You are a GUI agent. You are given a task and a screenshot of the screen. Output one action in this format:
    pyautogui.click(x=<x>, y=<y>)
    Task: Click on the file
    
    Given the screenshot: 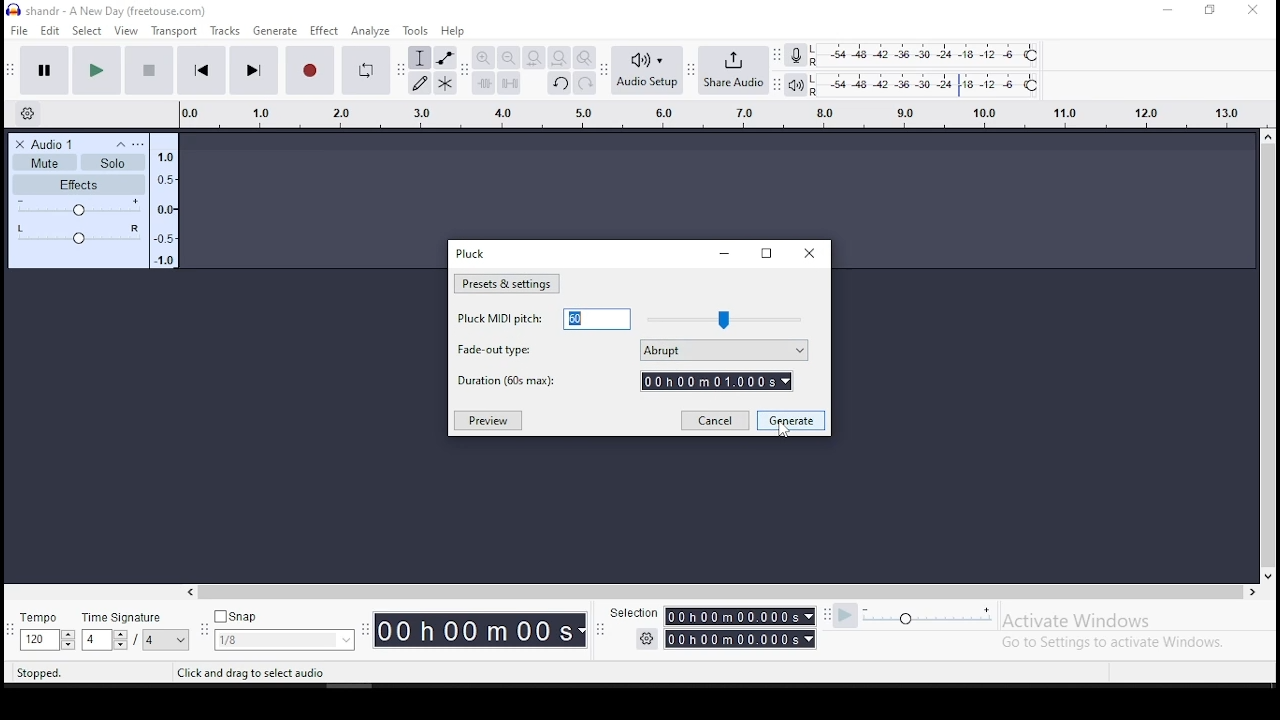 What is the action you would take?
    pyautogui.click(x=19, y=31)
    